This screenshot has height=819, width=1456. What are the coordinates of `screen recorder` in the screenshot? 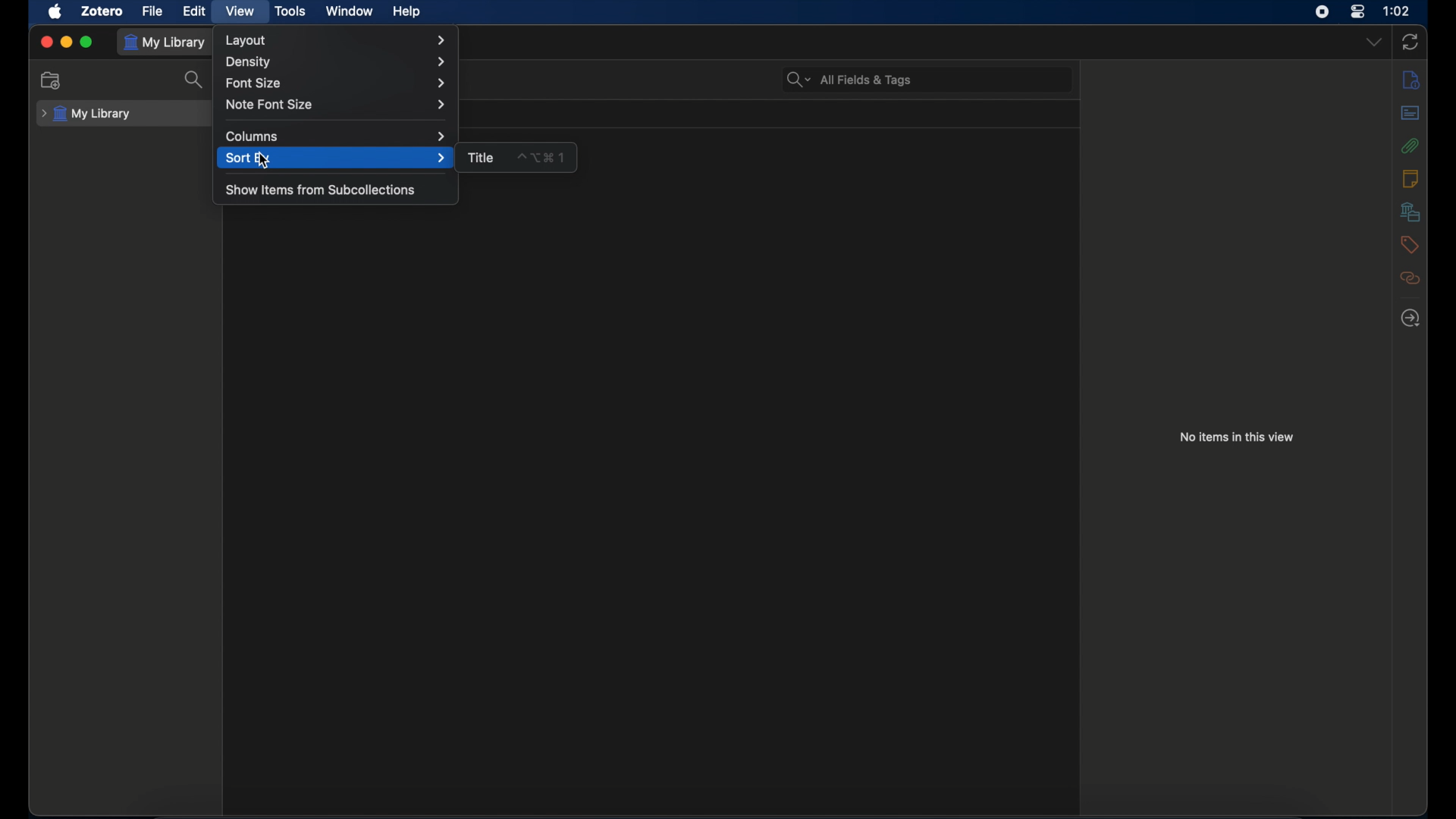 It's located at (1323, 12).